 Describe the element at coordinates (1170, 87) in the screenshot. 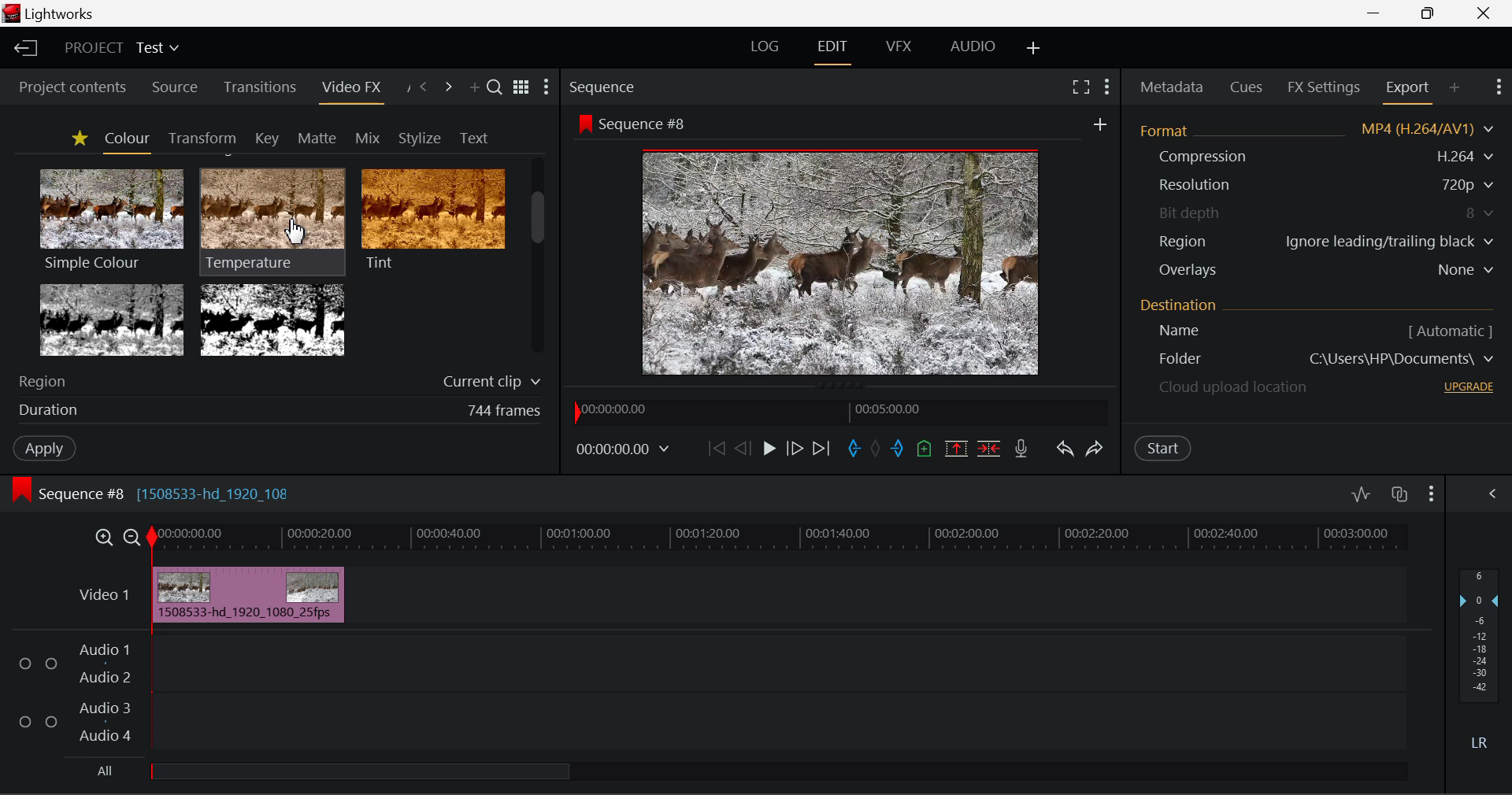

I see `Metadata` at that location.